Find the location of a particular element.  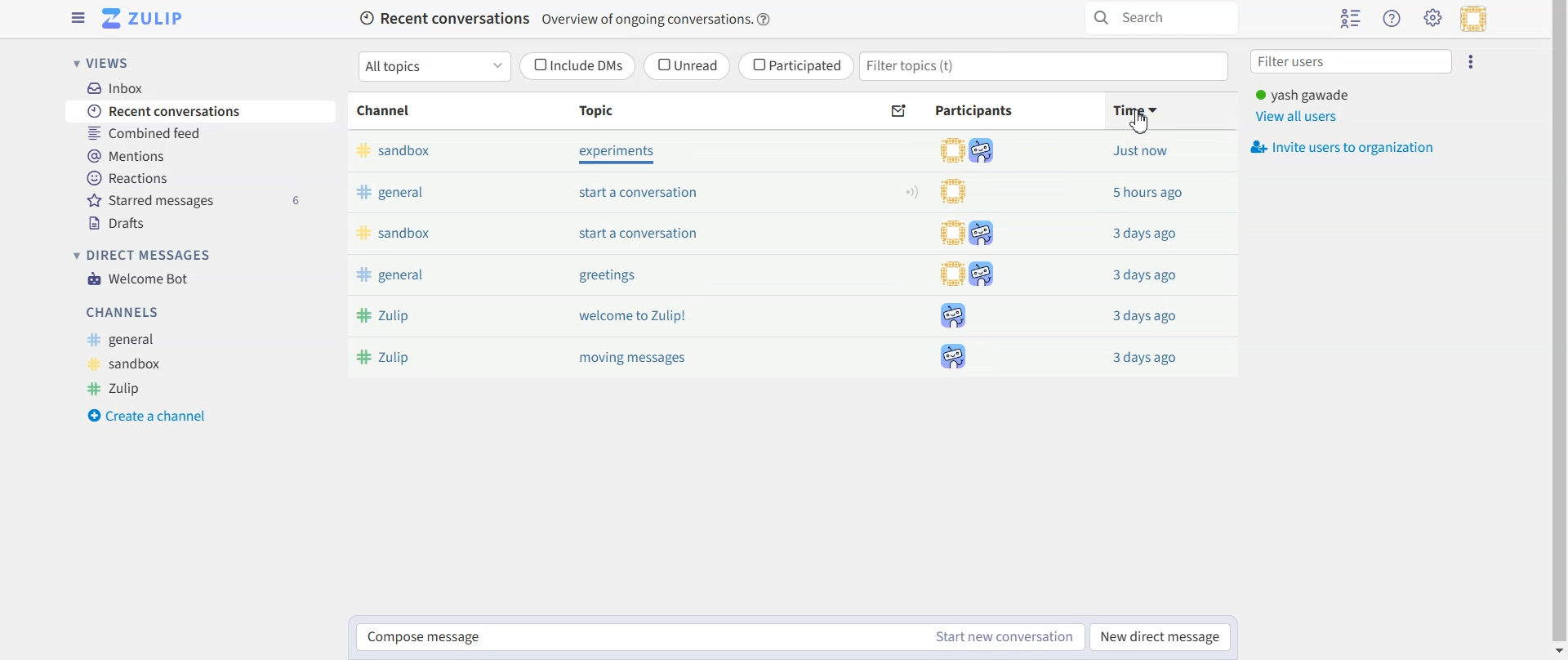

Participants is located at coordinates (992, 111).